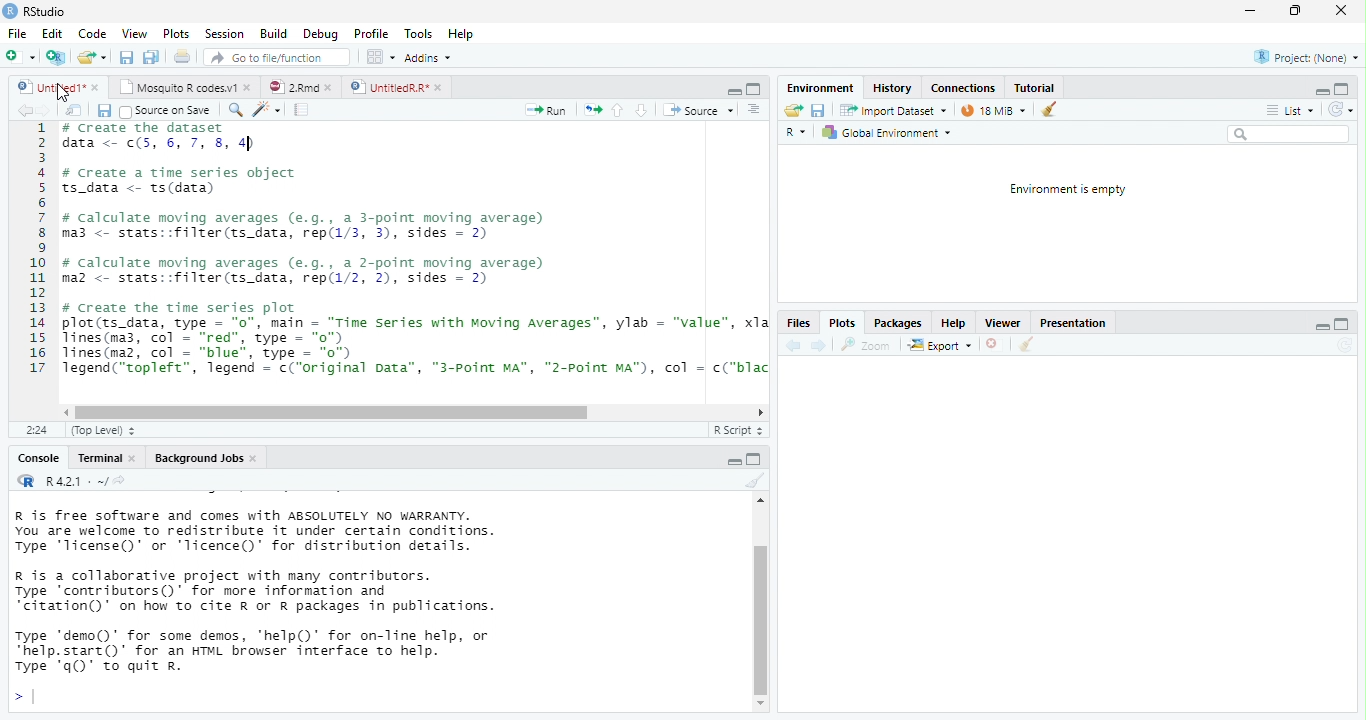  What do you see at coordinates (273, 34) in the screenshot?
I see `Build` at bounding box center [273, 34].